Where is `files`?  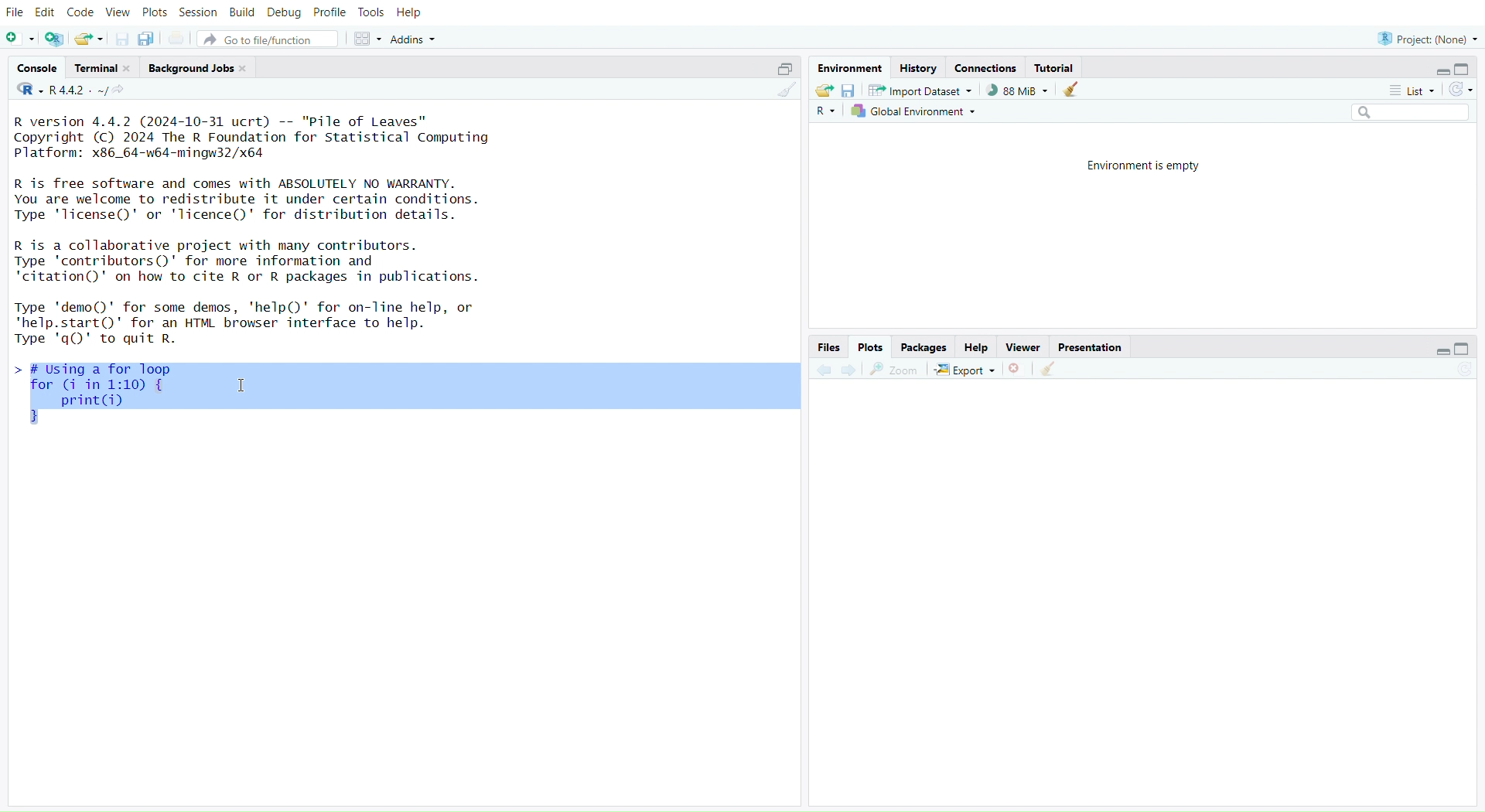
files is located at coordinates (828, 346).